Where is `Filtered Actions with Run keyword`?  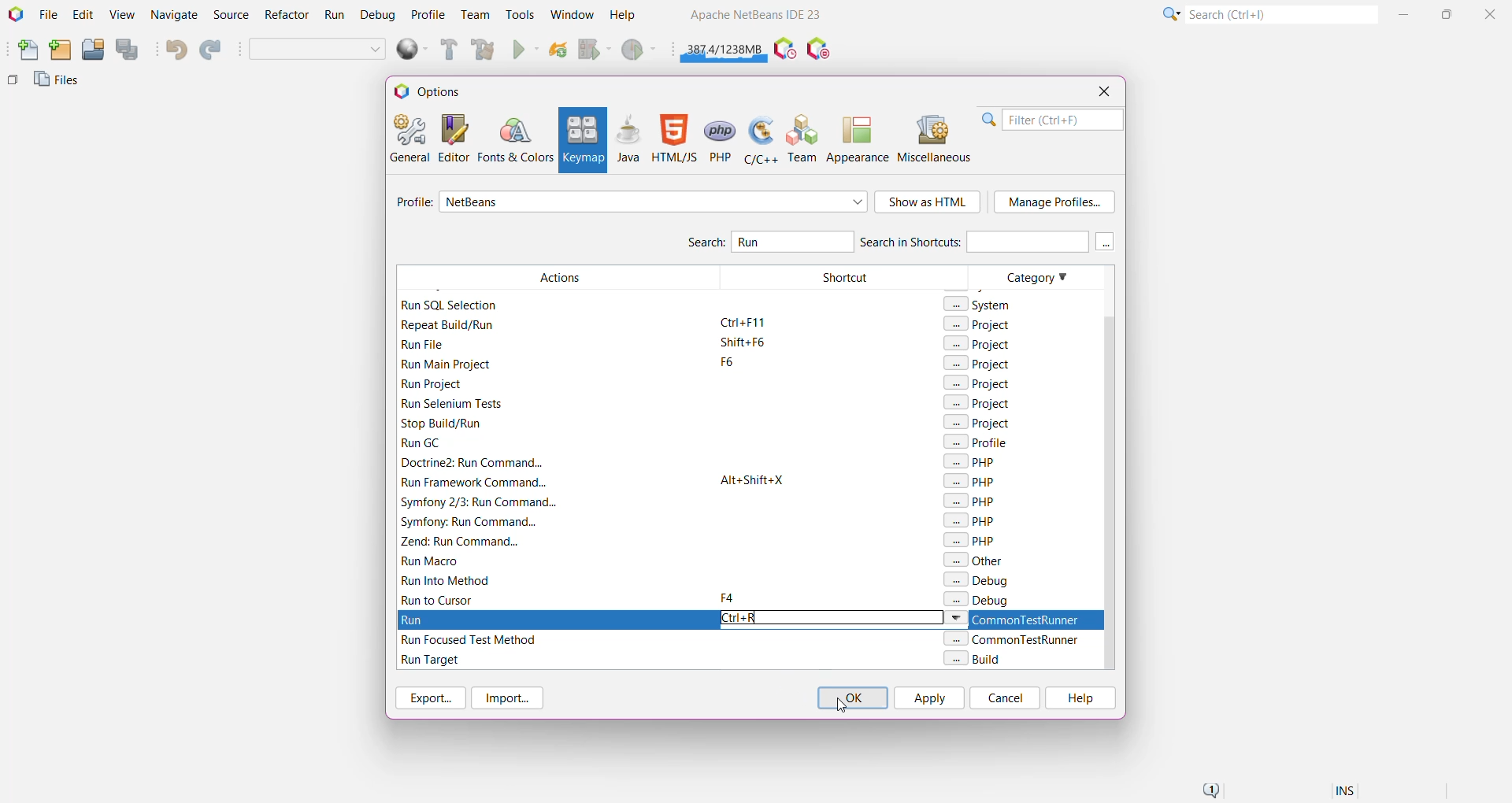
Filtered Actions with Run keyword is located at coordinates (555, 649).